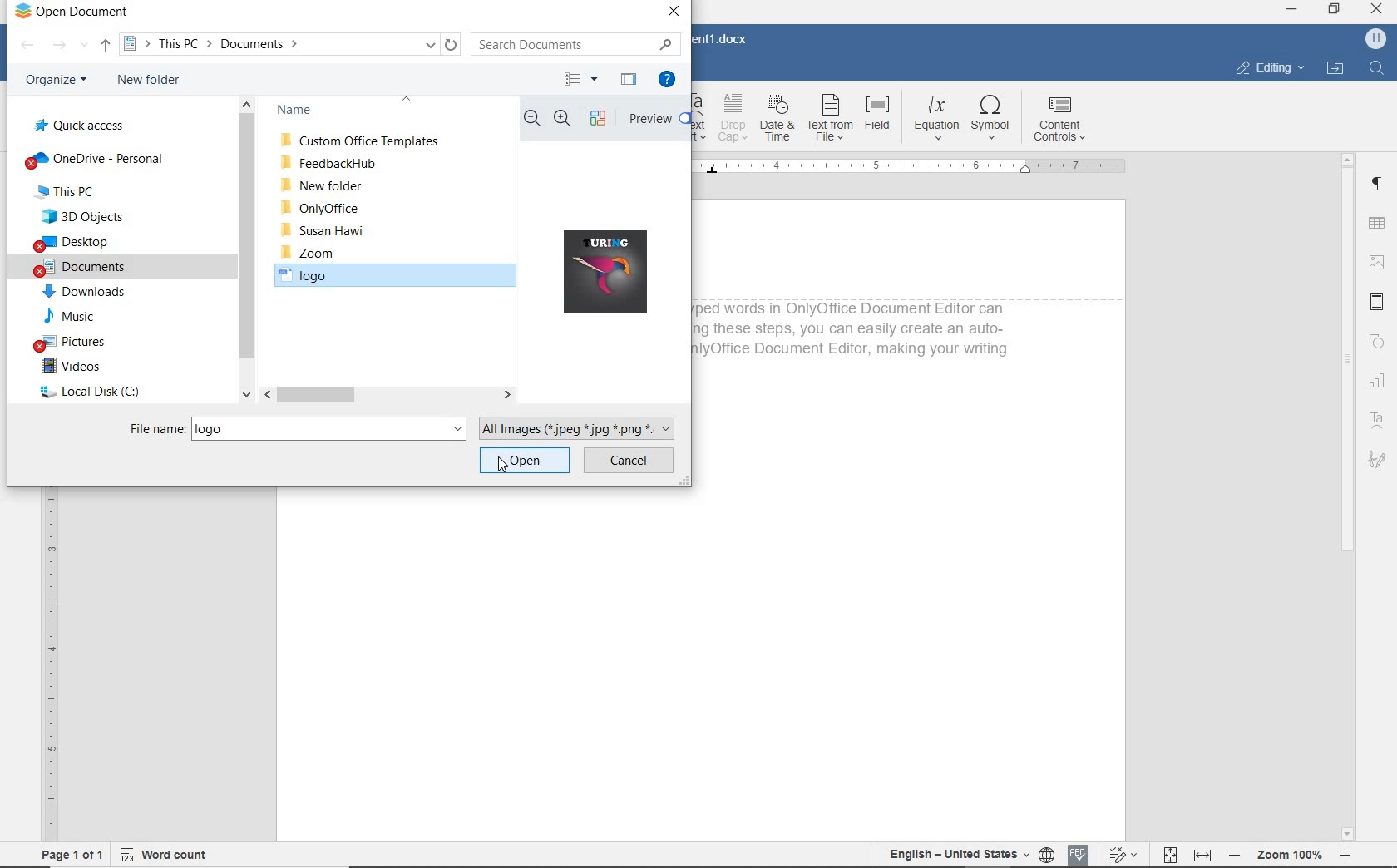 The width and height of the screenshot is (1397, 868). What do you see at coordinates (582, 79) in the screenshot?
I see `CHANGE YOUR VIEW` at bounding box center [582, 79].